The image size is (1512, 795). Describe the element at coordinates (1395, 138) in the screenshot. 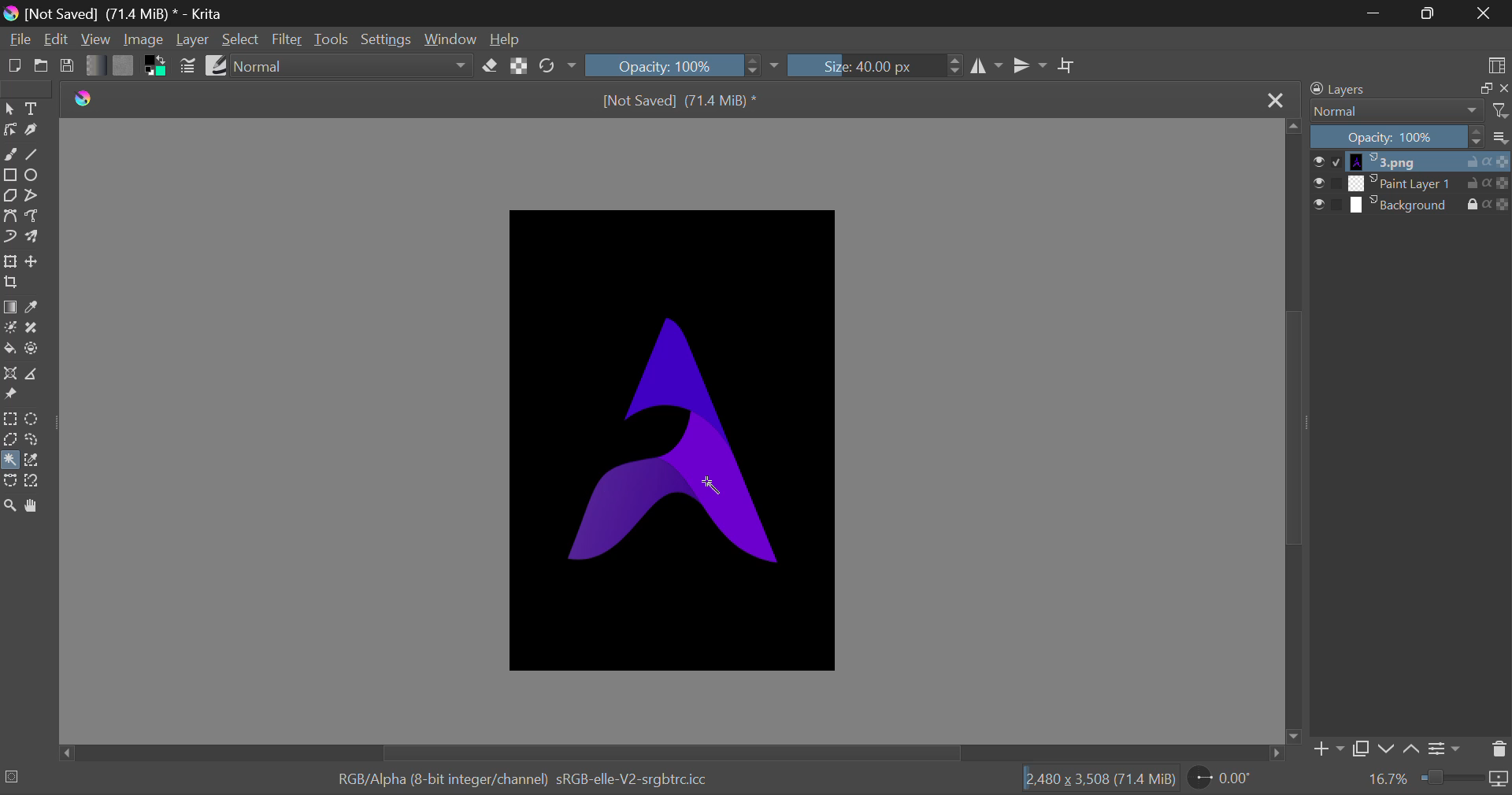

I see `Opacity` at that location.